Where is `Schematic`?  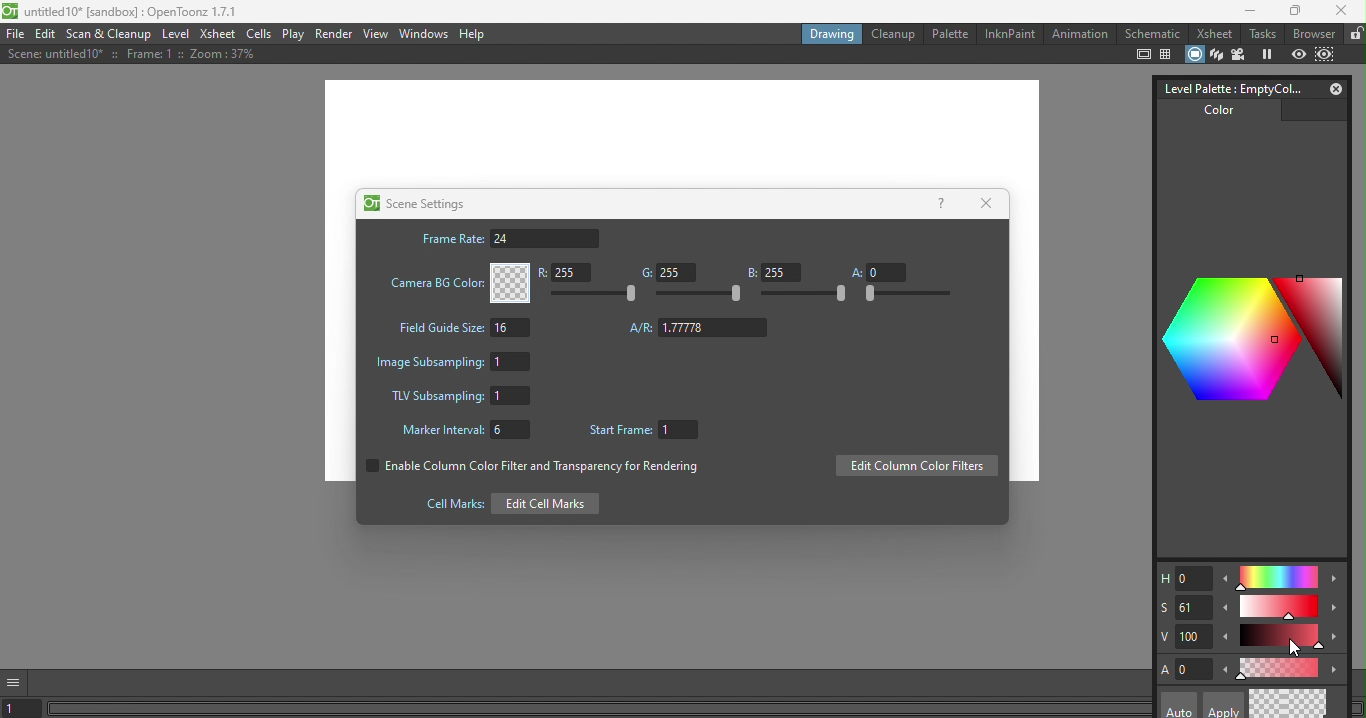 Schematic is located at coordinates (1152, 34).